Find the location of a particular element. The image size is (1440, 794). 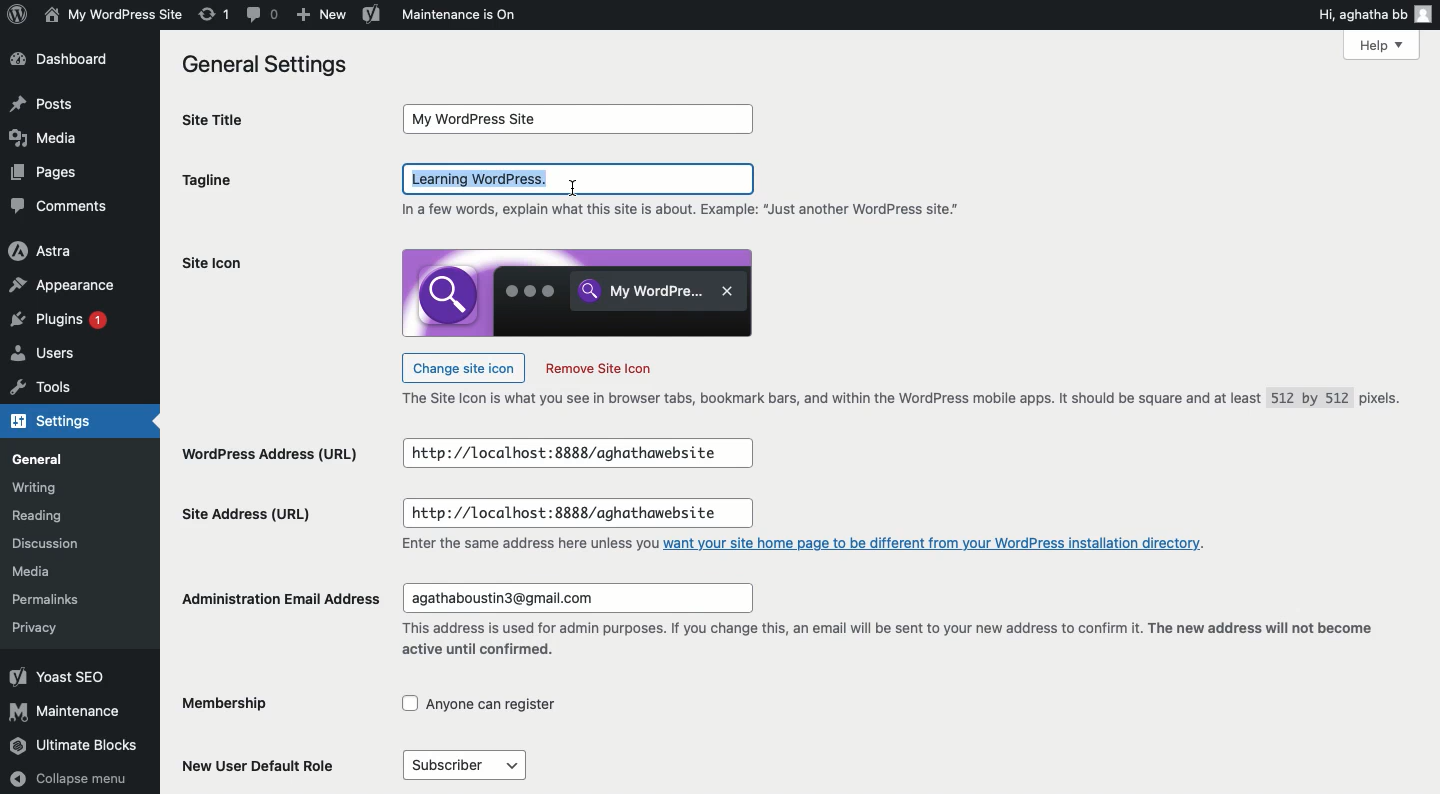

Dashboard is located at coordinates (67, 61).